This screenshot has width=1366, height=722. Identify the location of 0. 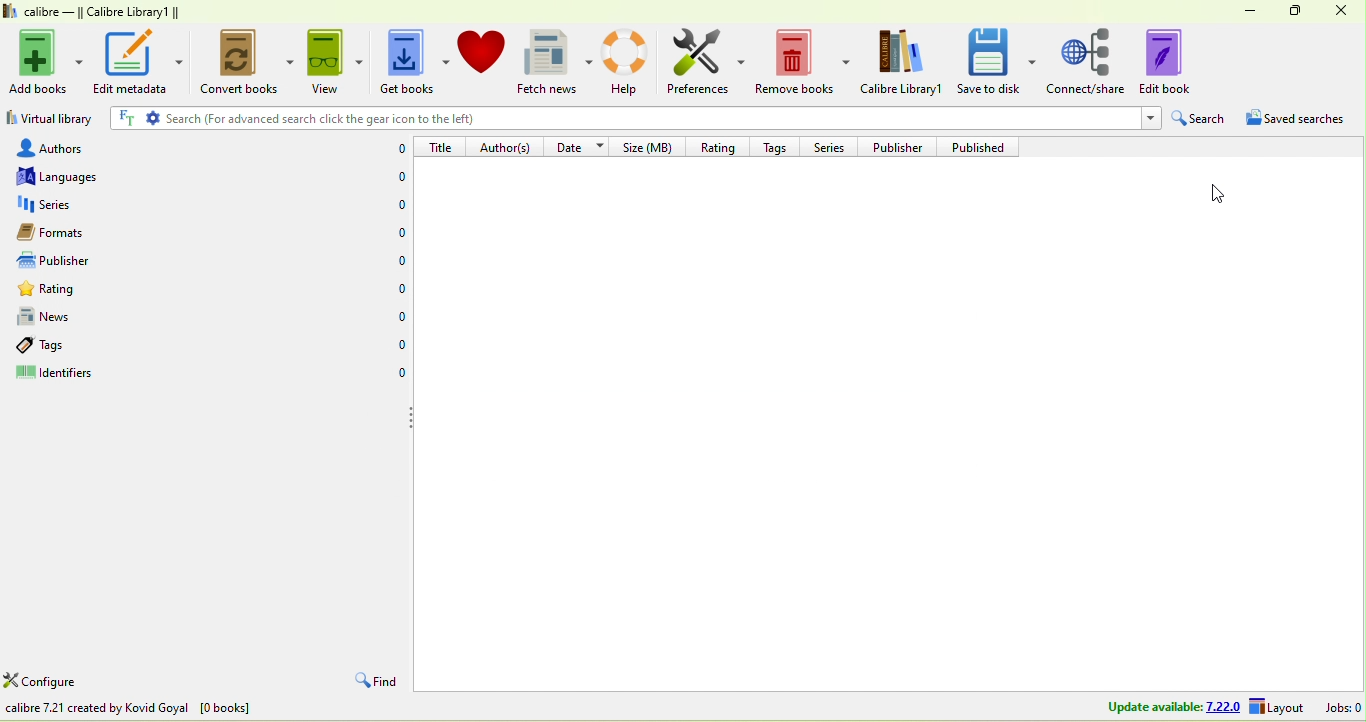
(398, 235).